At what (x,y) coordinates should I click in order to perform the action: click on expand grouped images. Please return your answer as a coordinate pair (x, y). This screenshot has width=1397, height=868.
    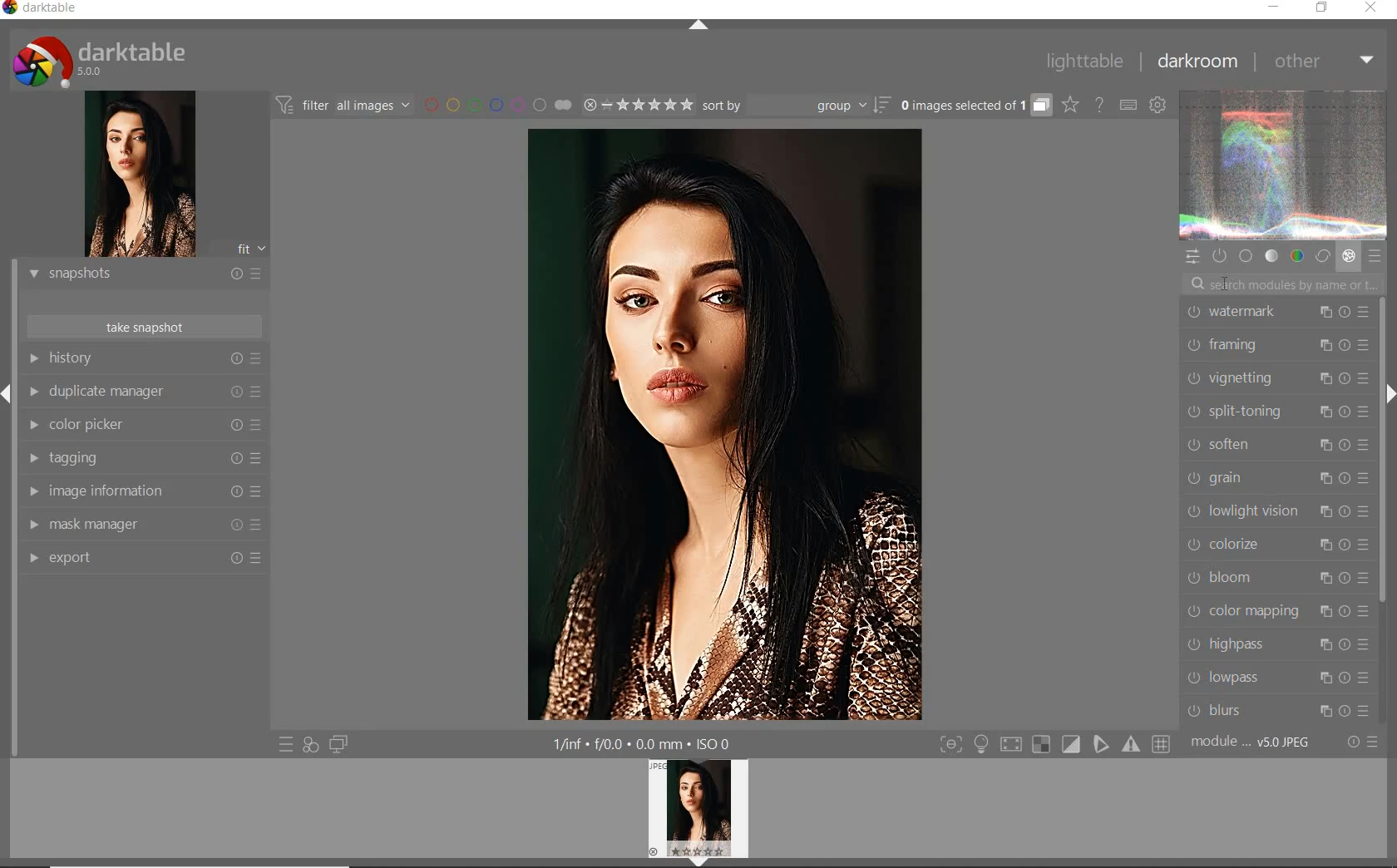
    Looking at the image, I should click on (975, 106).